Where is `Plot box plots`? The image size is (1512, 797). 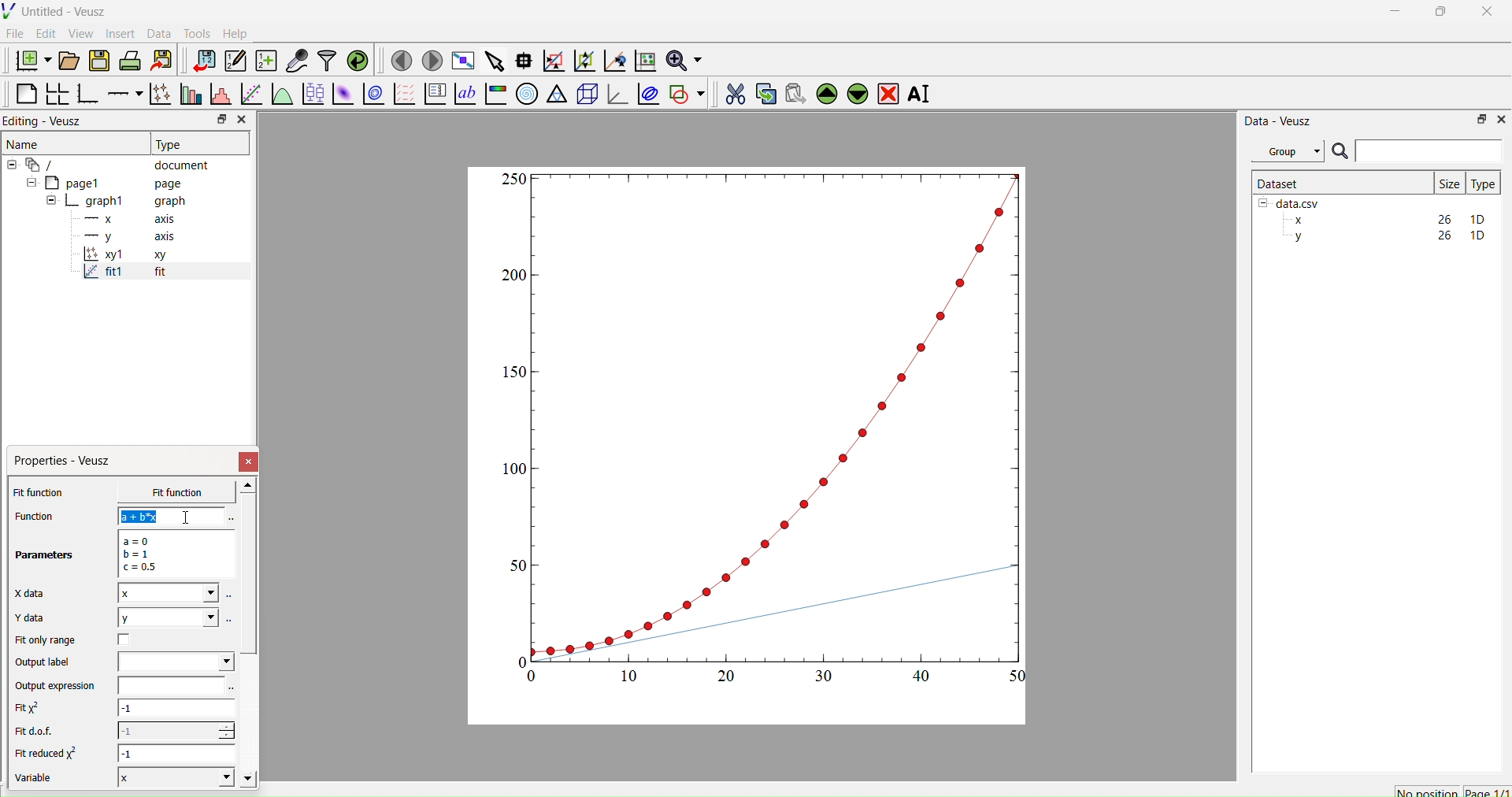 Plot box plots is located at coordinates (313, 94).